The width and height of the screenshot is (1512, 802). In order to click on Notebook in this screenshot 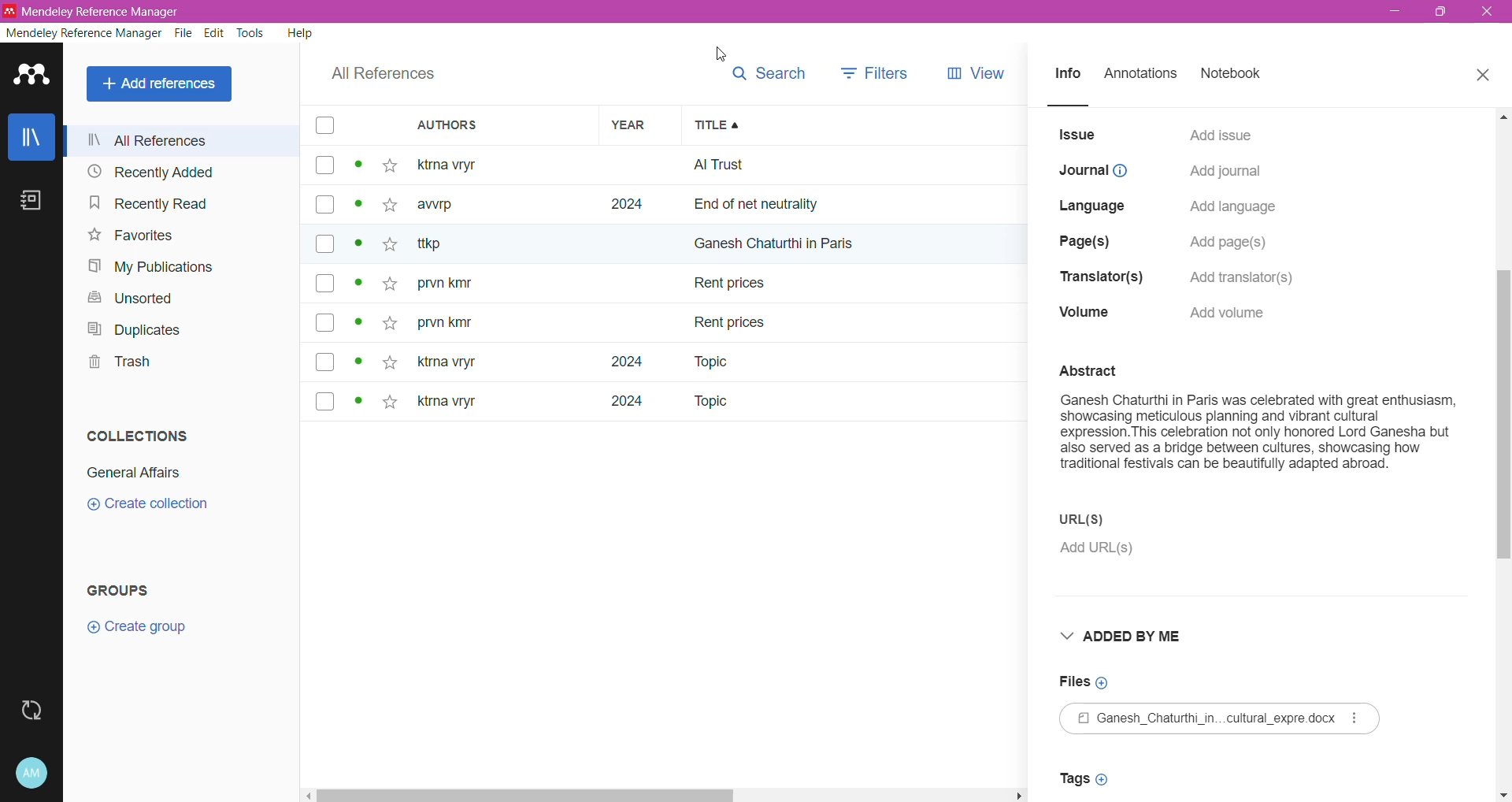, I will do `click(1236, 75)`.